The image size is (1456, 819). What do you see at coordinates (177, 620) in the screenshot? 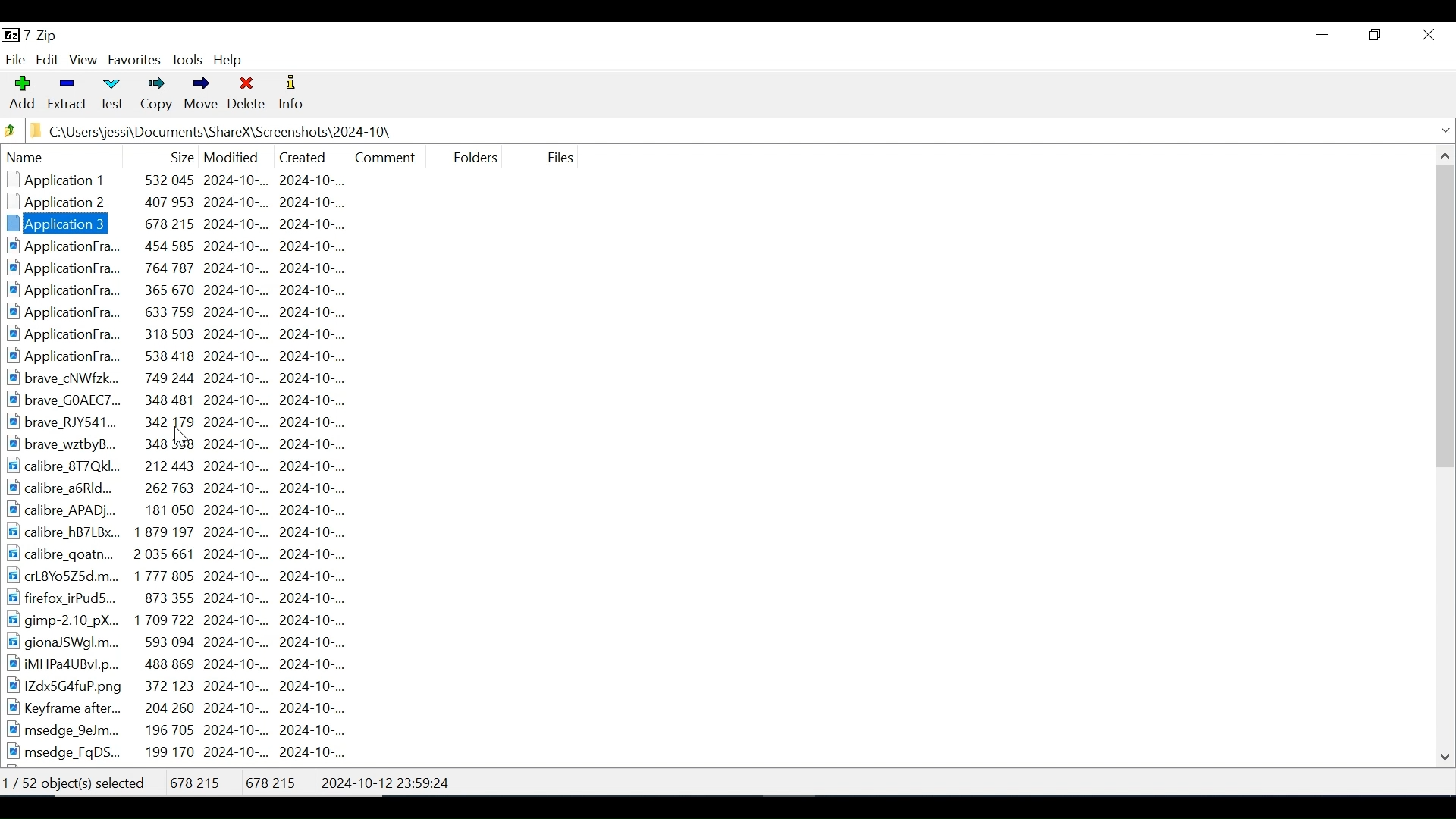
I see `gimp-2.10 pX.. 1709722 2024-10-.. 2024-10-` at bounding box center [177, 620].